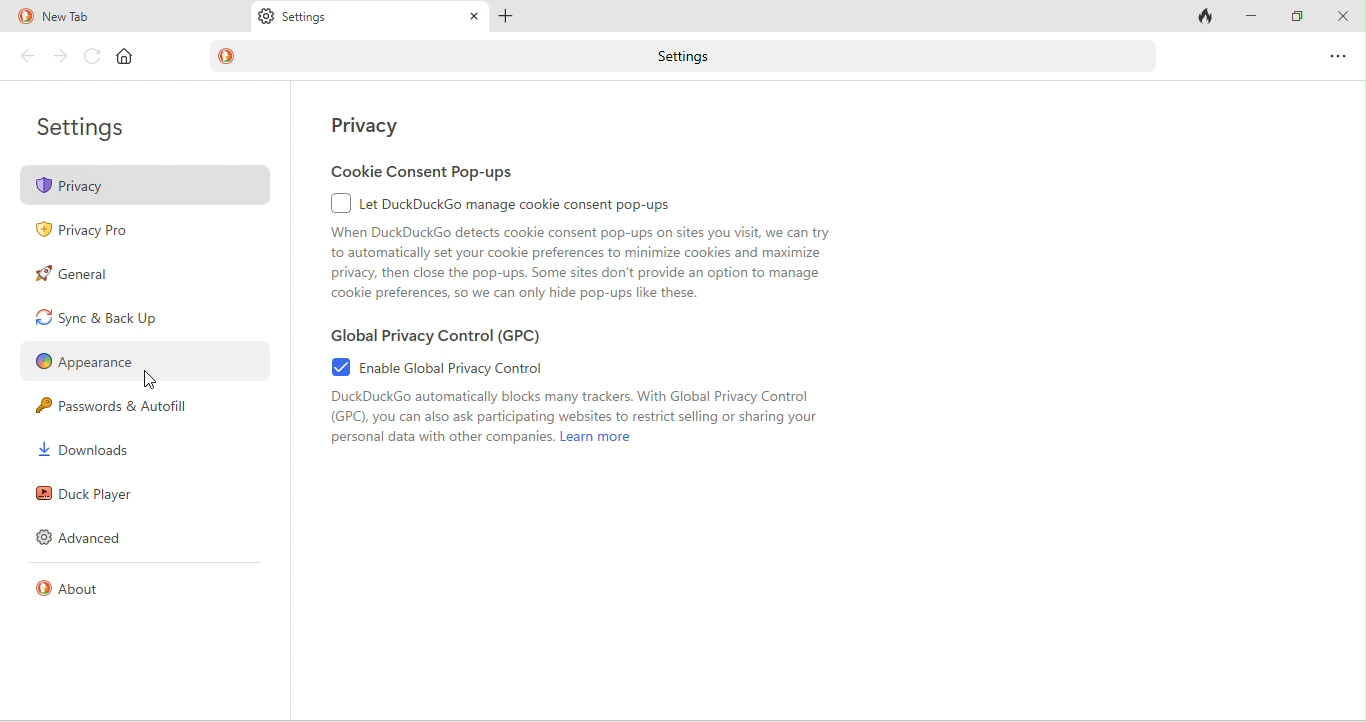  Describe the element at coordinates (62, 56) in the screenshot. I see `forward` at that location.